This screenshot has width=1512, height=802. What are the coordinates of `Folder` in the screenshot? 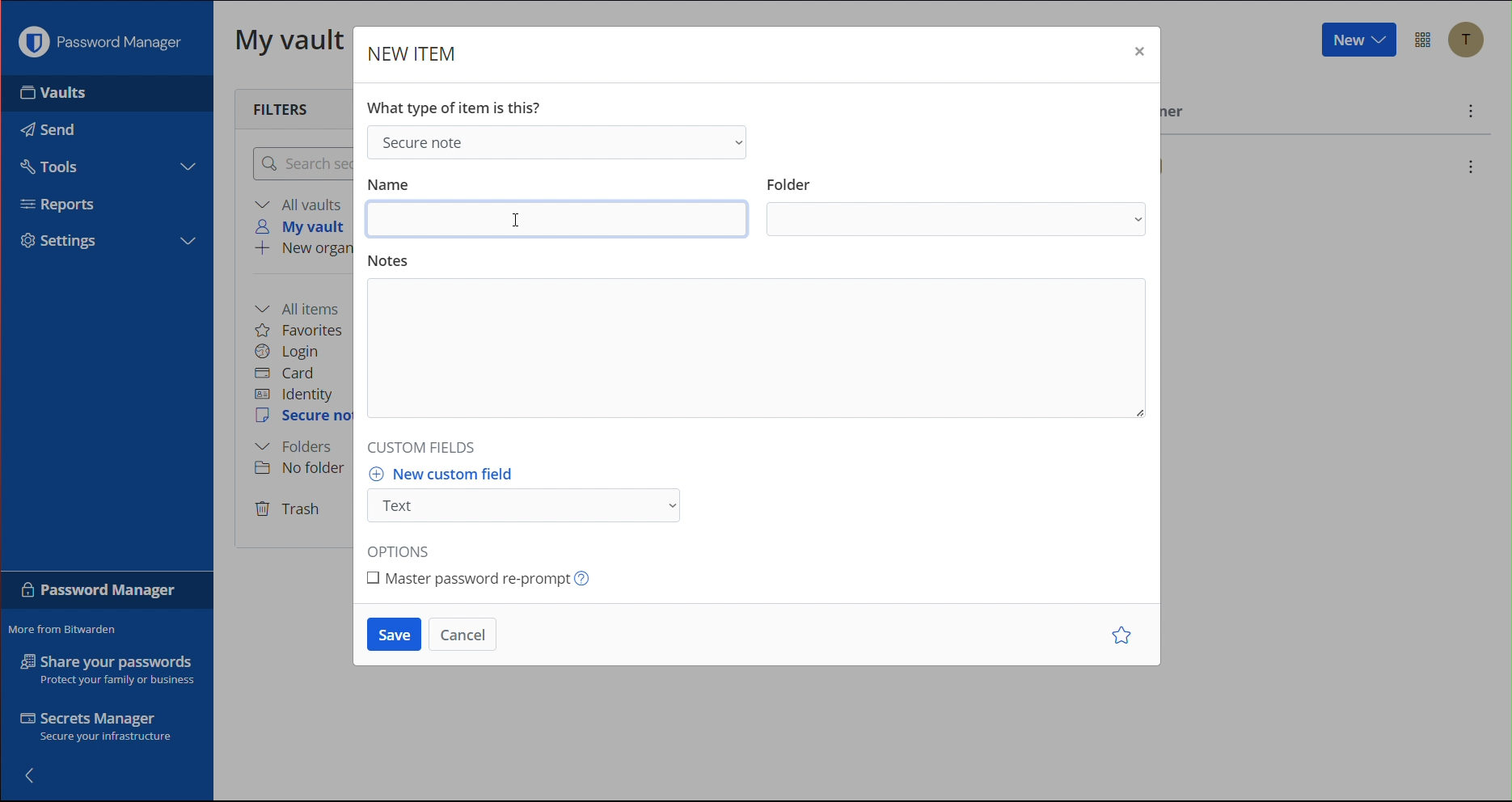 It's located at (790, 179).